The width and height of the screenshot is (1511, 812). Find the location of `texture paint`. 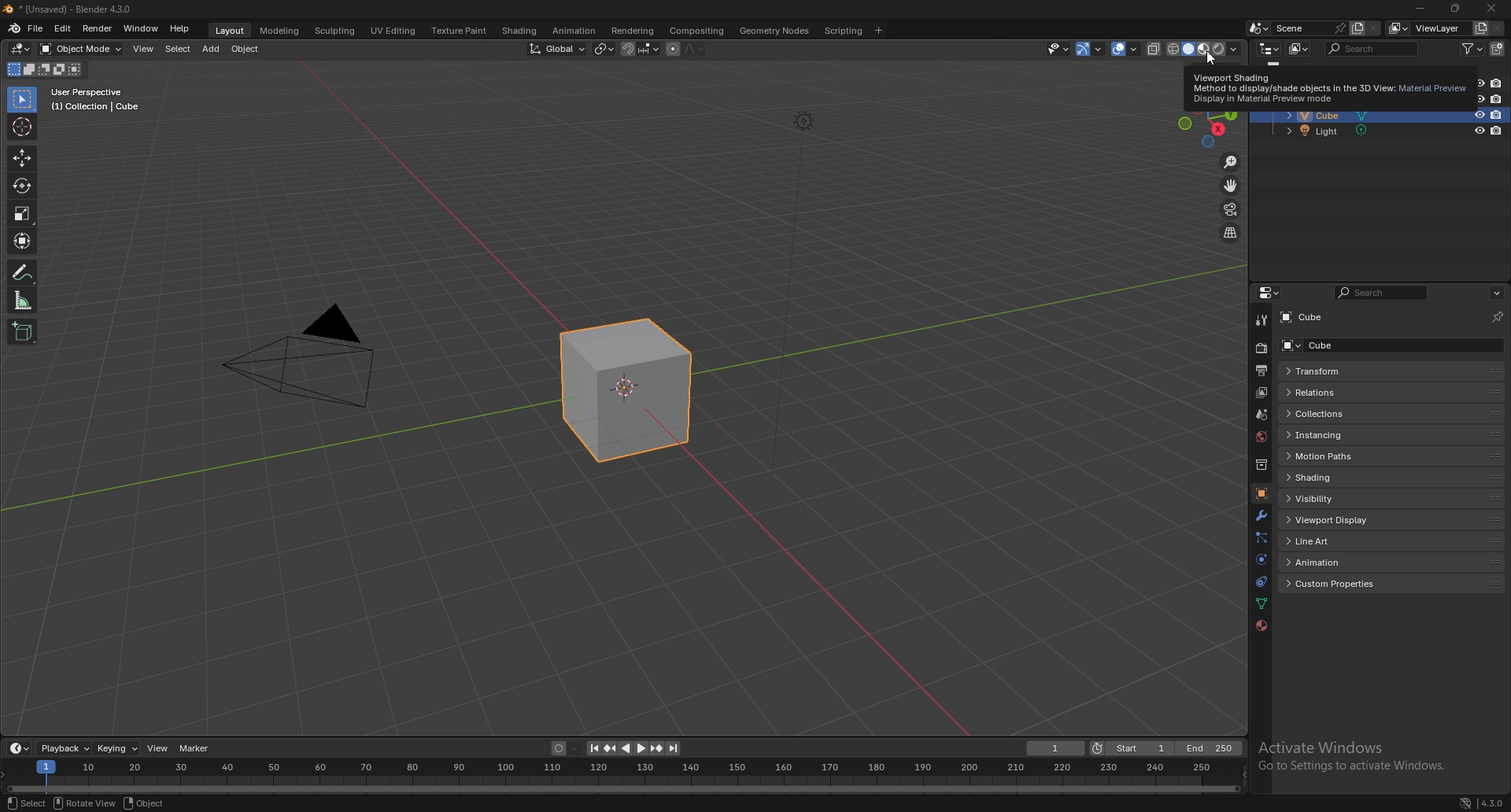

texture paint is located at coordinates (460, 30).